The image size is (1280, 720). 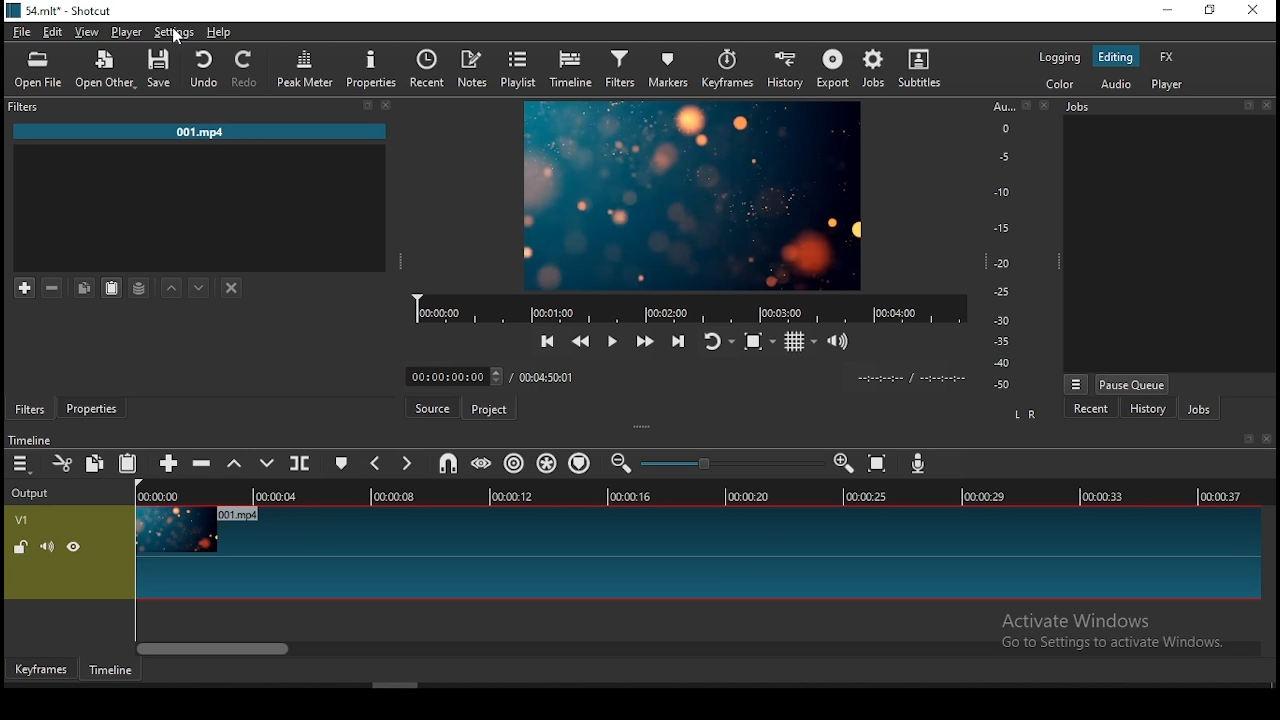 What do you see at coordinates (699, 647) in the screenshot?
I see `scroll bar` at bounding box center [699, 647].